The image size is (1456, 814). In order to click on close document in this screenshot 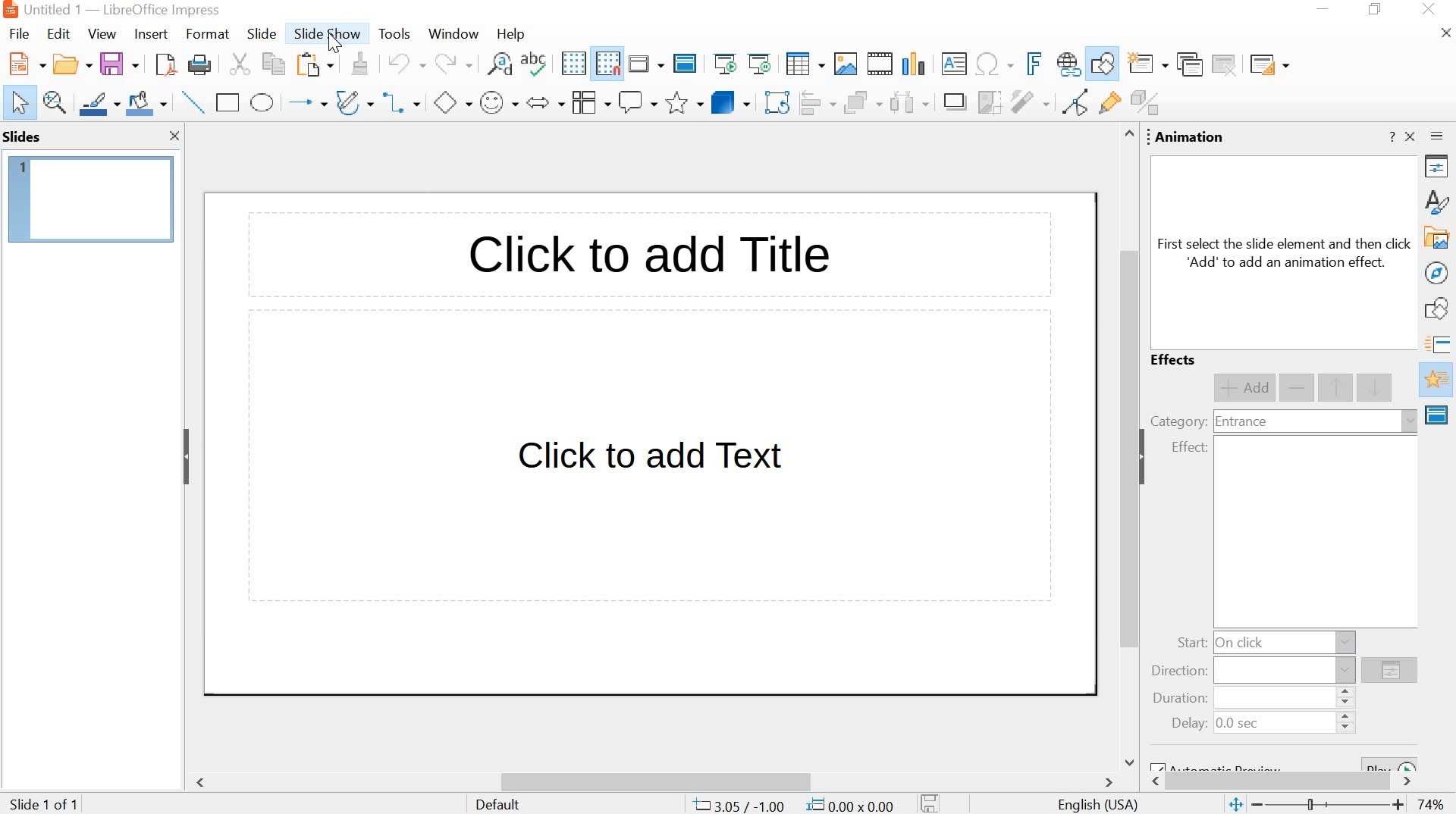, I will do `click(1447, 33)`.